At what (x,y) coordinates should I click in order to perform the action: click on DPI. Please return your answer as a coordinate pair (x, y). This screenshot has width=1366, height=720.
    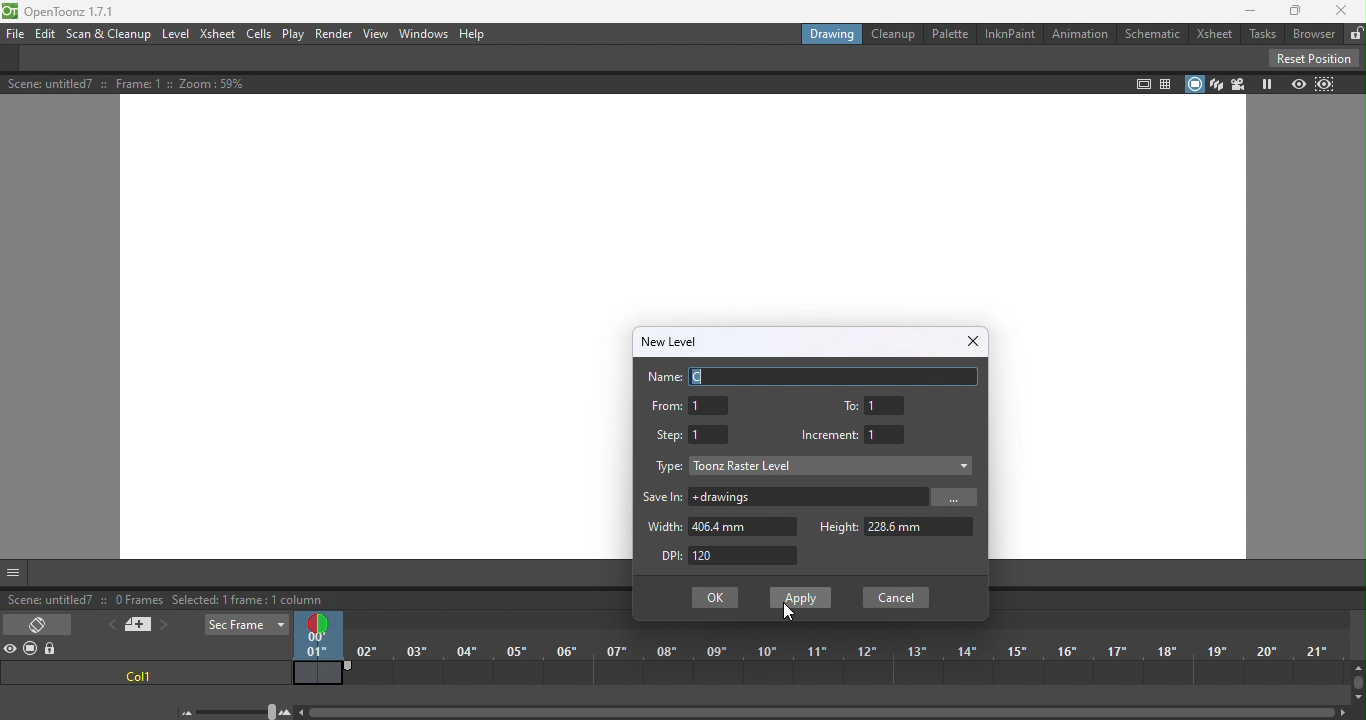
    Looking at the image, I should click on (737, 557).